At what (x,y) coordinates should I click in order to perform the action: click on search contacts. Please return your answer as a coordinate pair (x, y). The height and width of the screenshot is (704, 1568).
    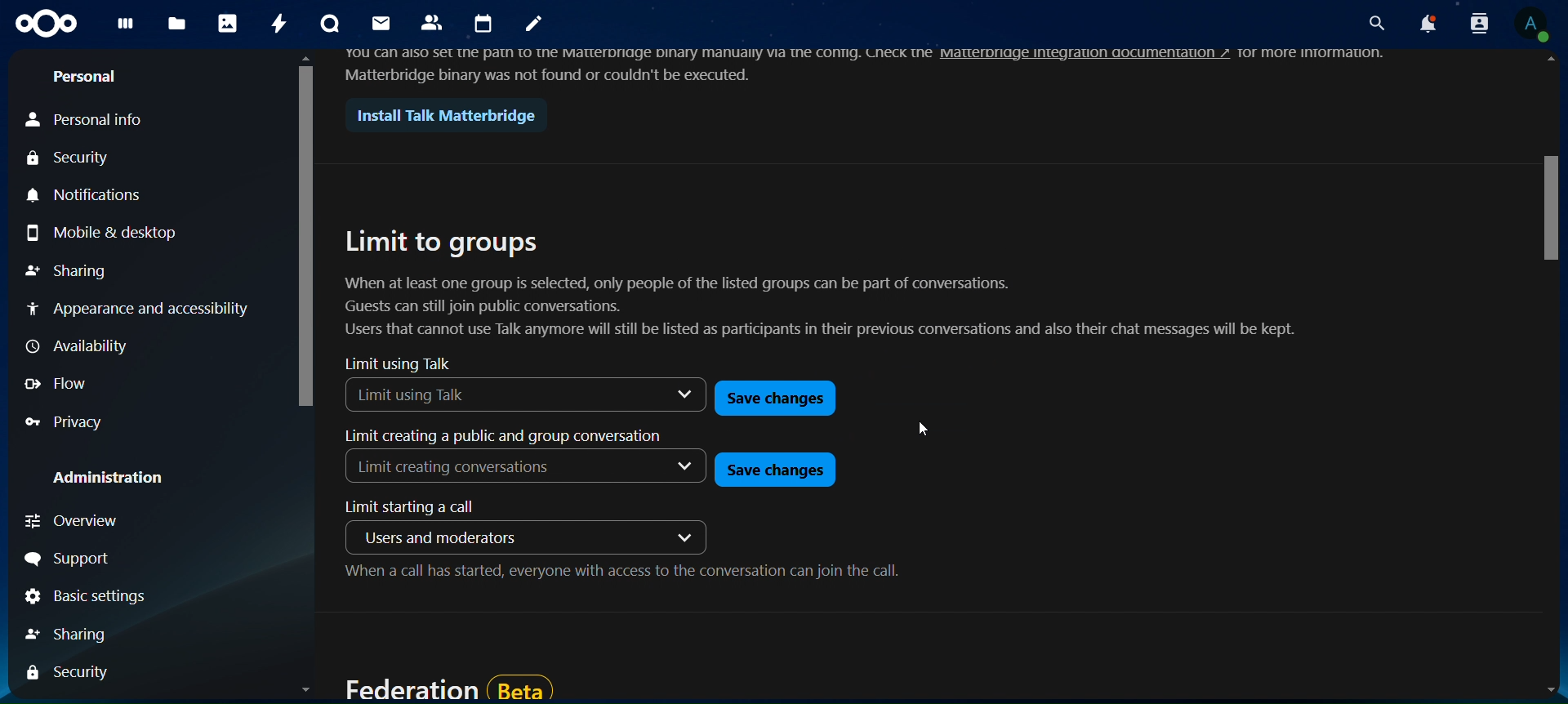
    Looking at the image, I should click on (1474, 23).